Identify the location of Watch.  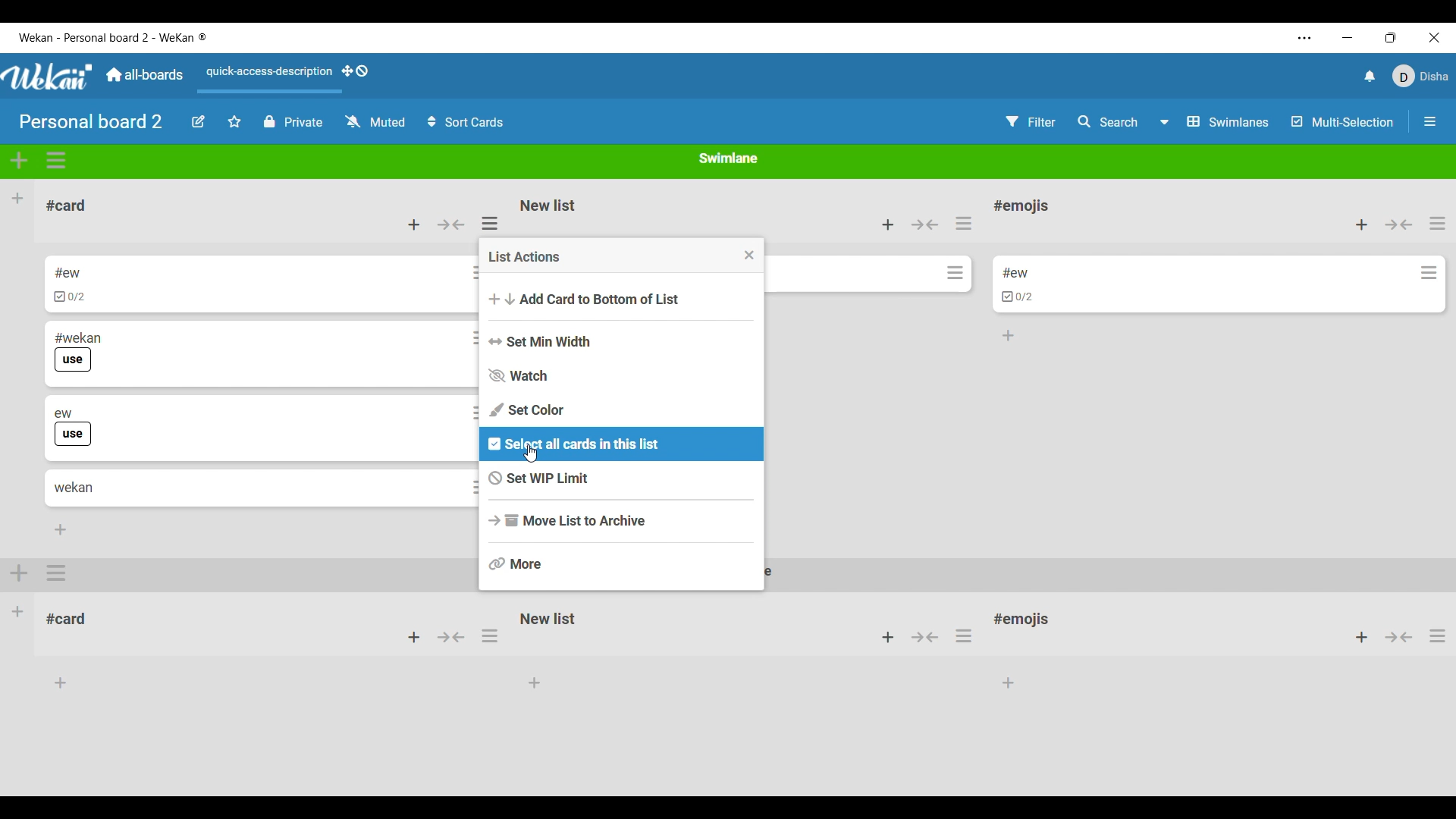
(623, 375).